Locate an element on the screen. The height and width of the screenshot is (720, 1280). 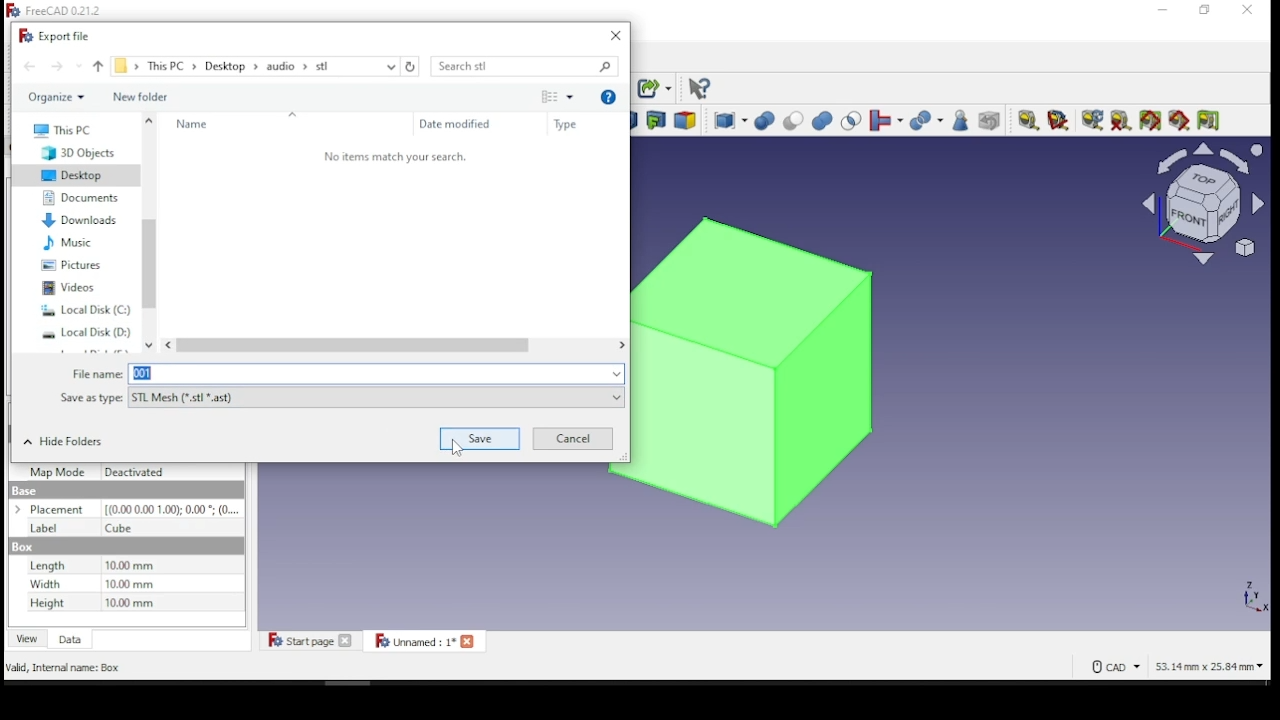
name is located at coordinates (262, 123).